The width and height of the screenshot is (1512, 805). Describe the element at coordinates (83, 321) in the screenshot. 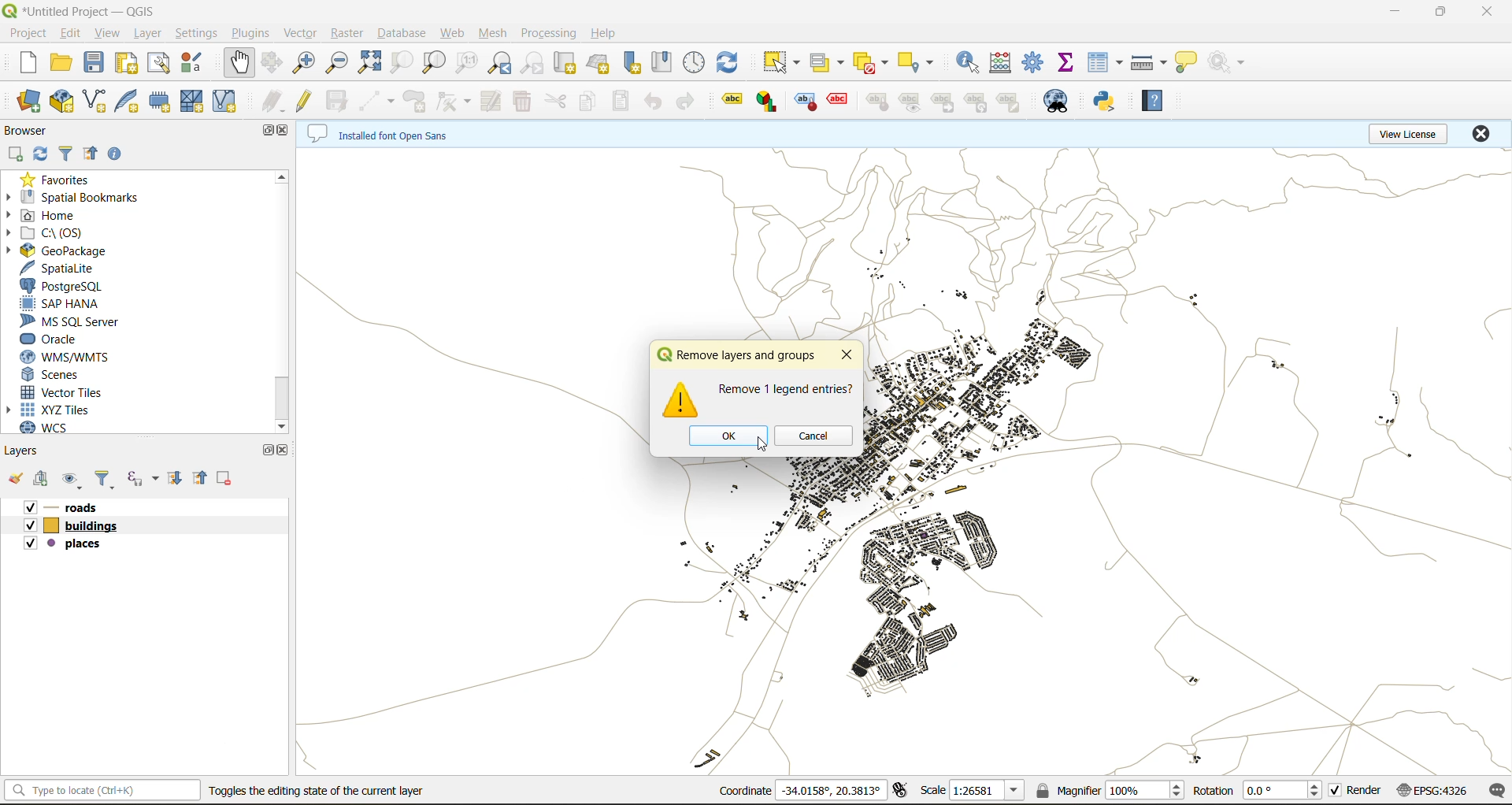

I see `ms sql server` at that location.